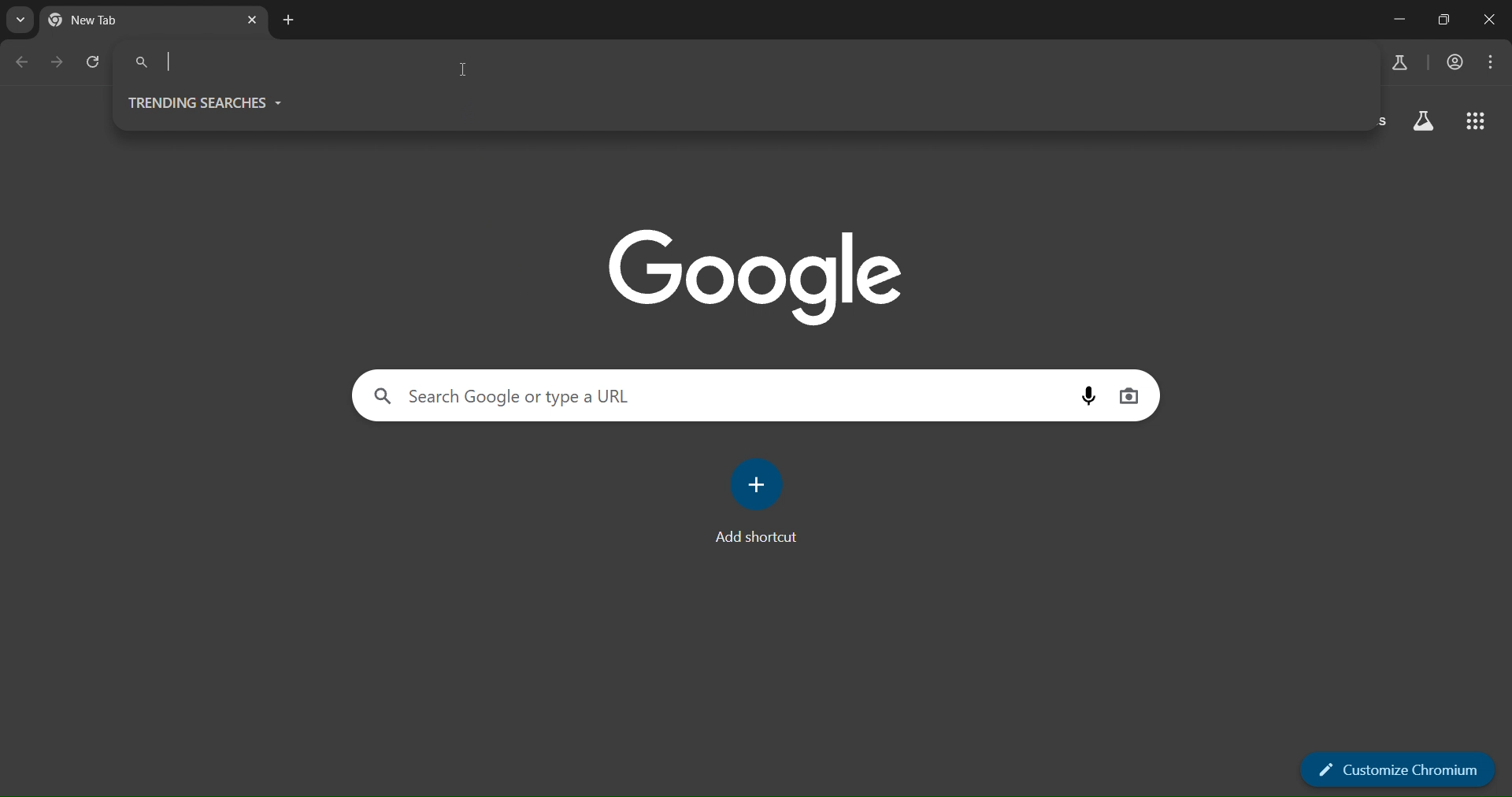 Image resolution: width=1512 pixels, height=797 pixels. Describe the element at coordinates (95, 61) in the screenshot. I see `reload page` at that location.